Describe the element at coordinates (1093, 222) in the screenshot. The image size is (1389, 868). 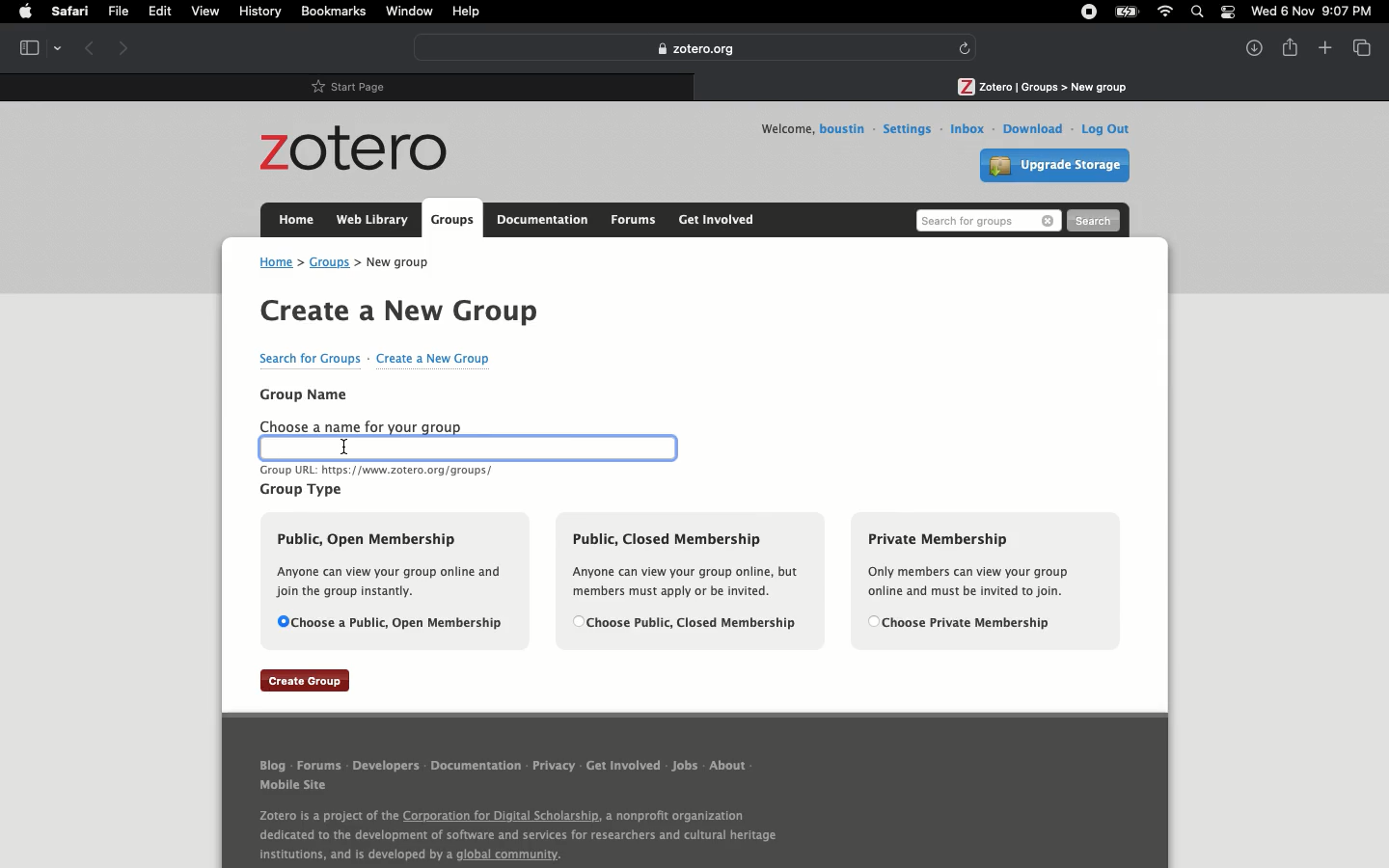
I see `Search` at that location.